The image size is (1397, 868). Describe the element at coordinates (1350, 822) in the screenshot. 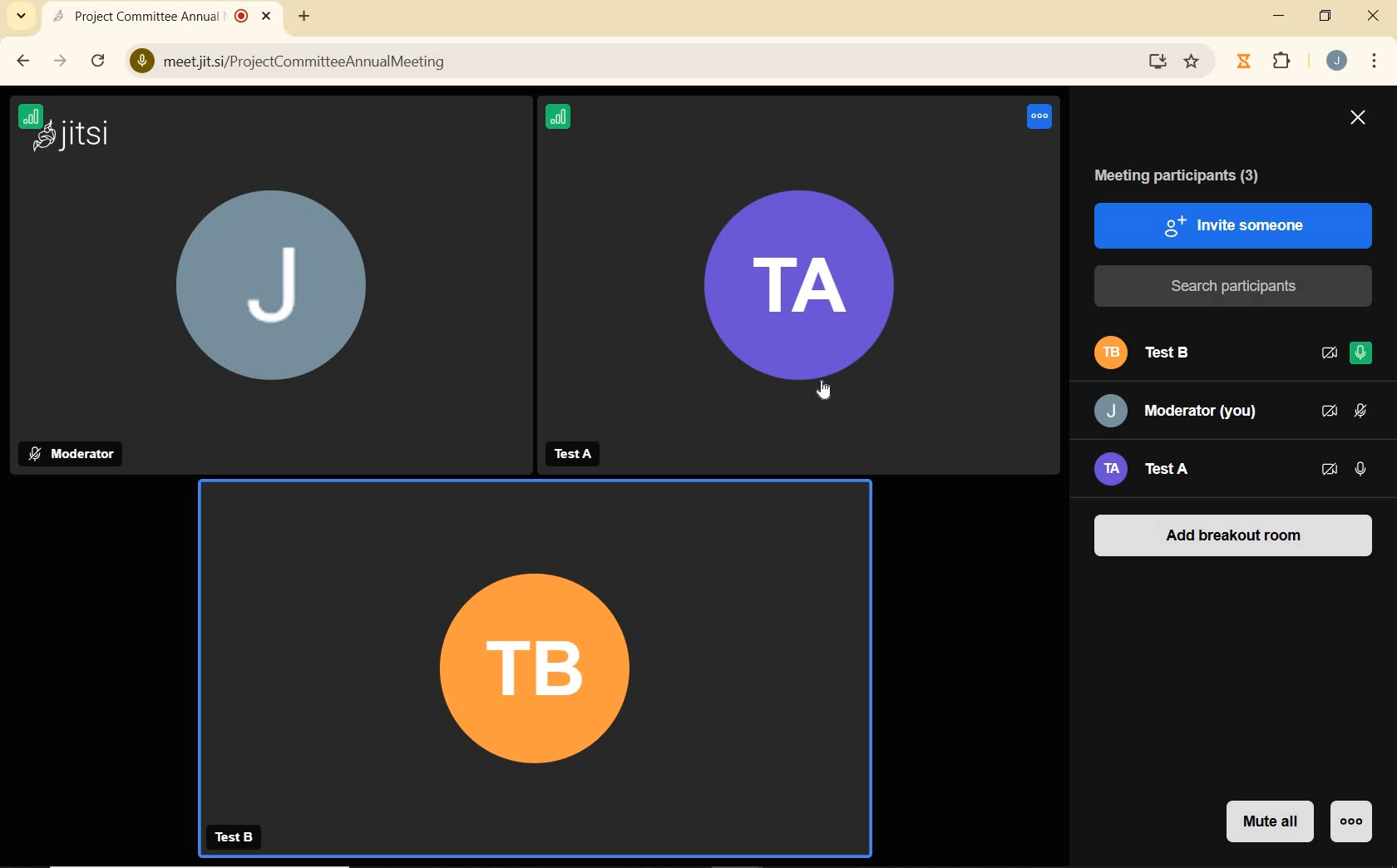

I see `MORE ACTIONS` at that location.